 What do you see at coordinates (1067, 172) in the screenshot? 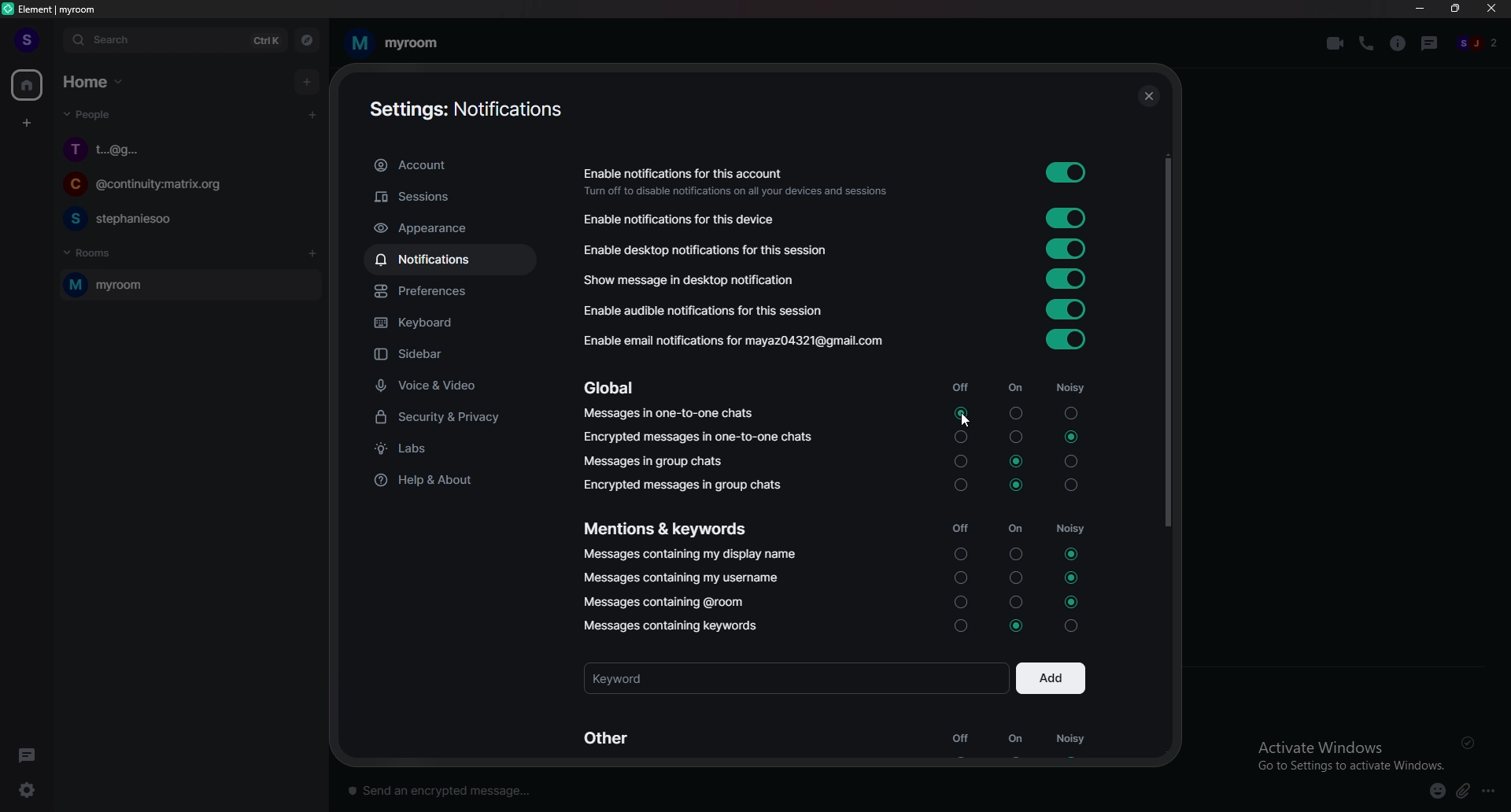
I see `toggle` at bounding box center [1067, 172].